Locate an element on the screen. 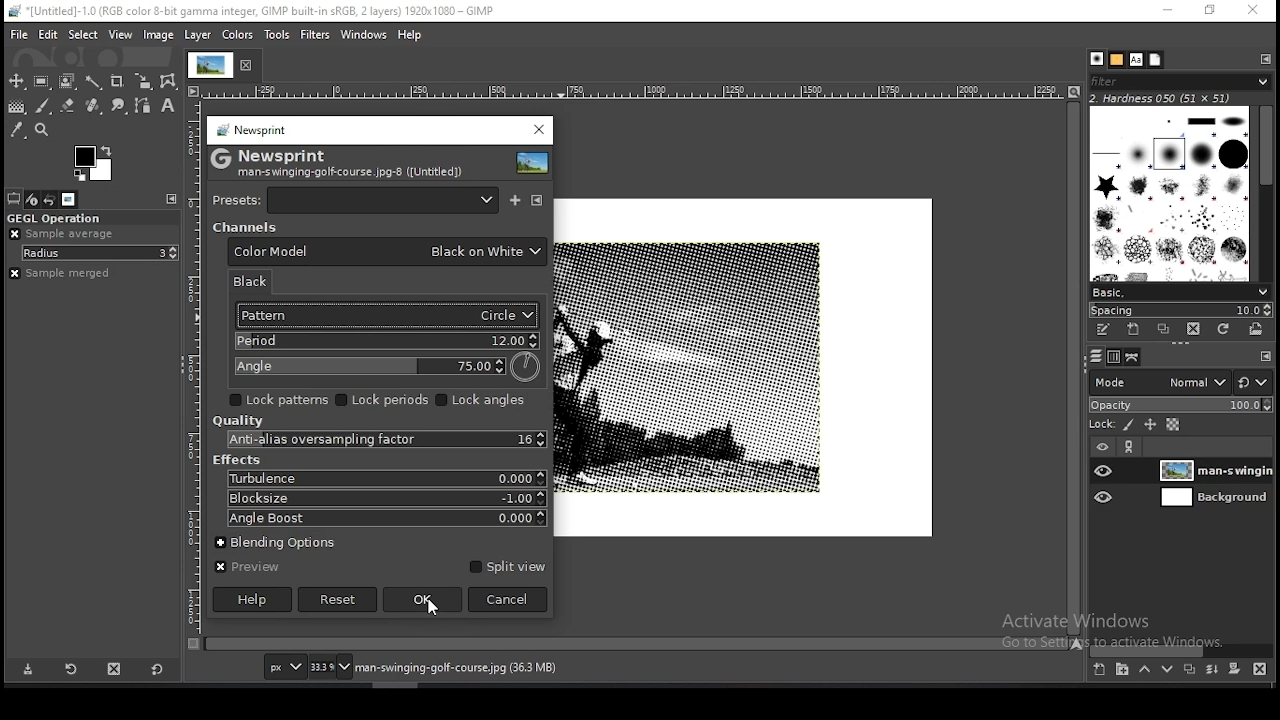 This screenshot has width=1280, height=720. document history is located at coordinates (1155, 60).